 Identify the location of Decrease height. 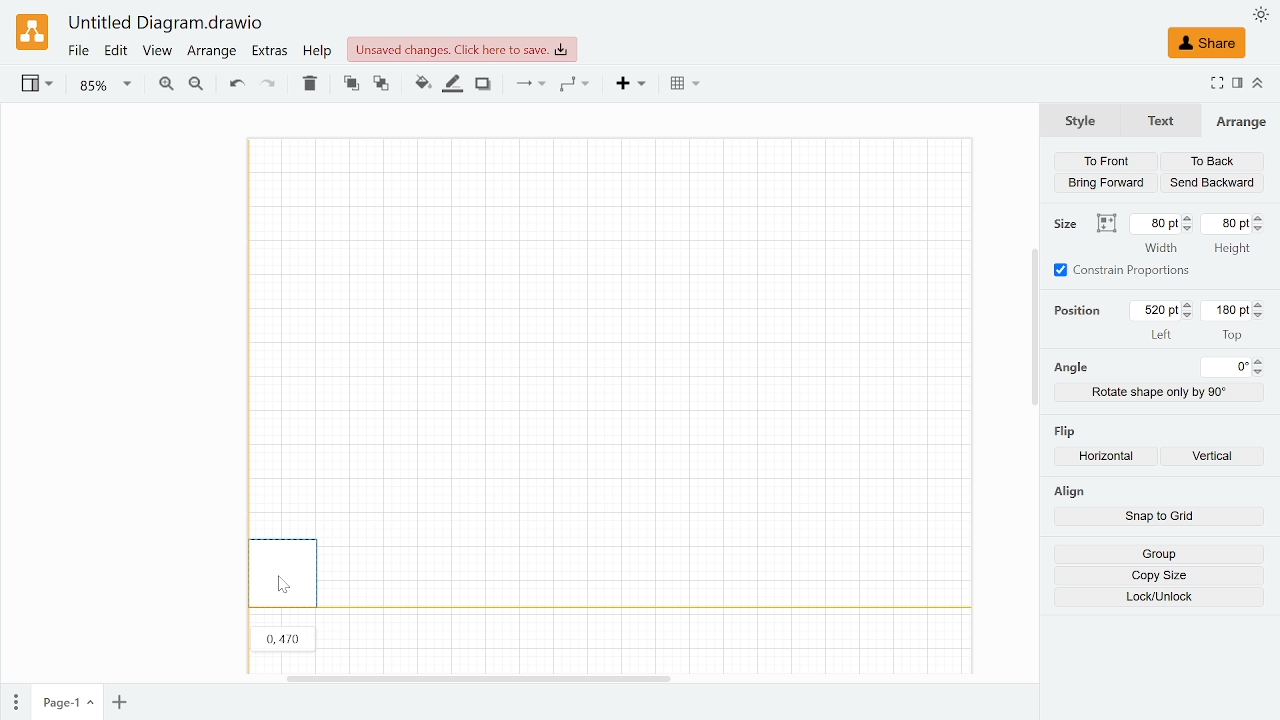
(1262, 229).